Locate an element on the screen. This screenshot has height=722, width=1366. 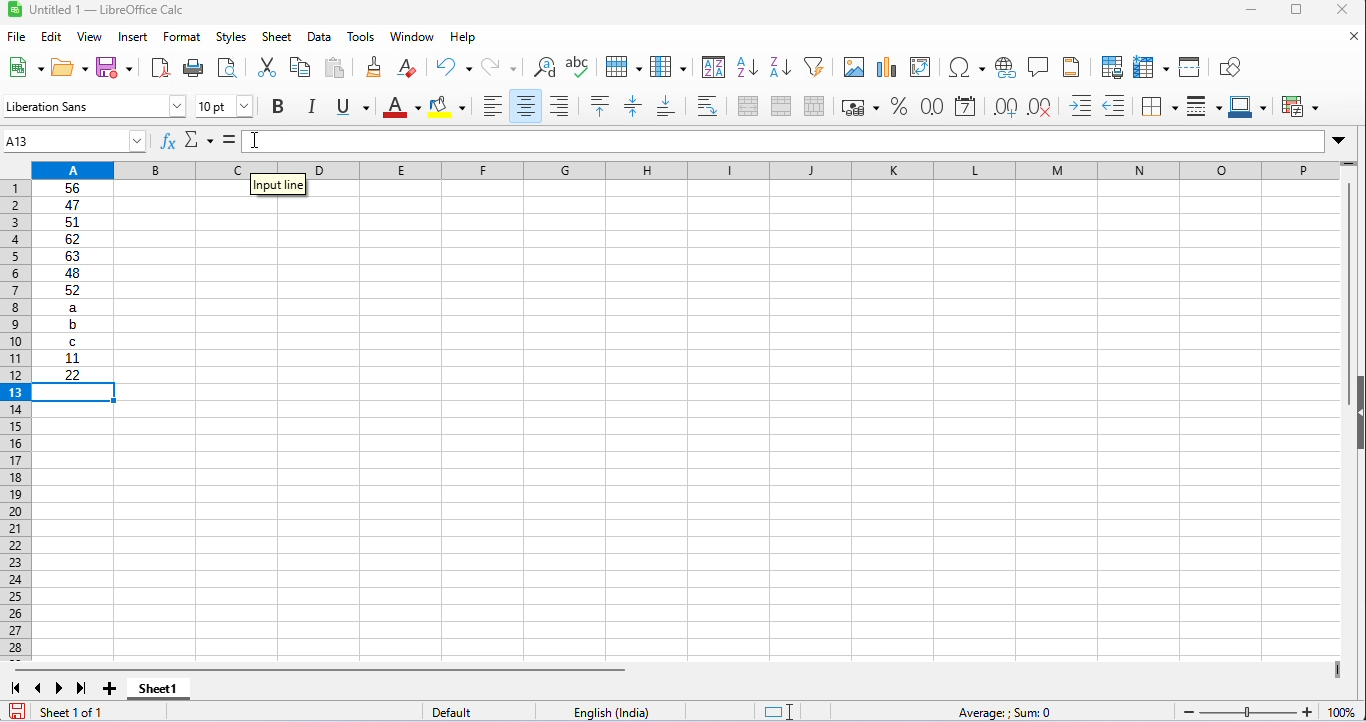
cursor is located at coordinates (254, 140).